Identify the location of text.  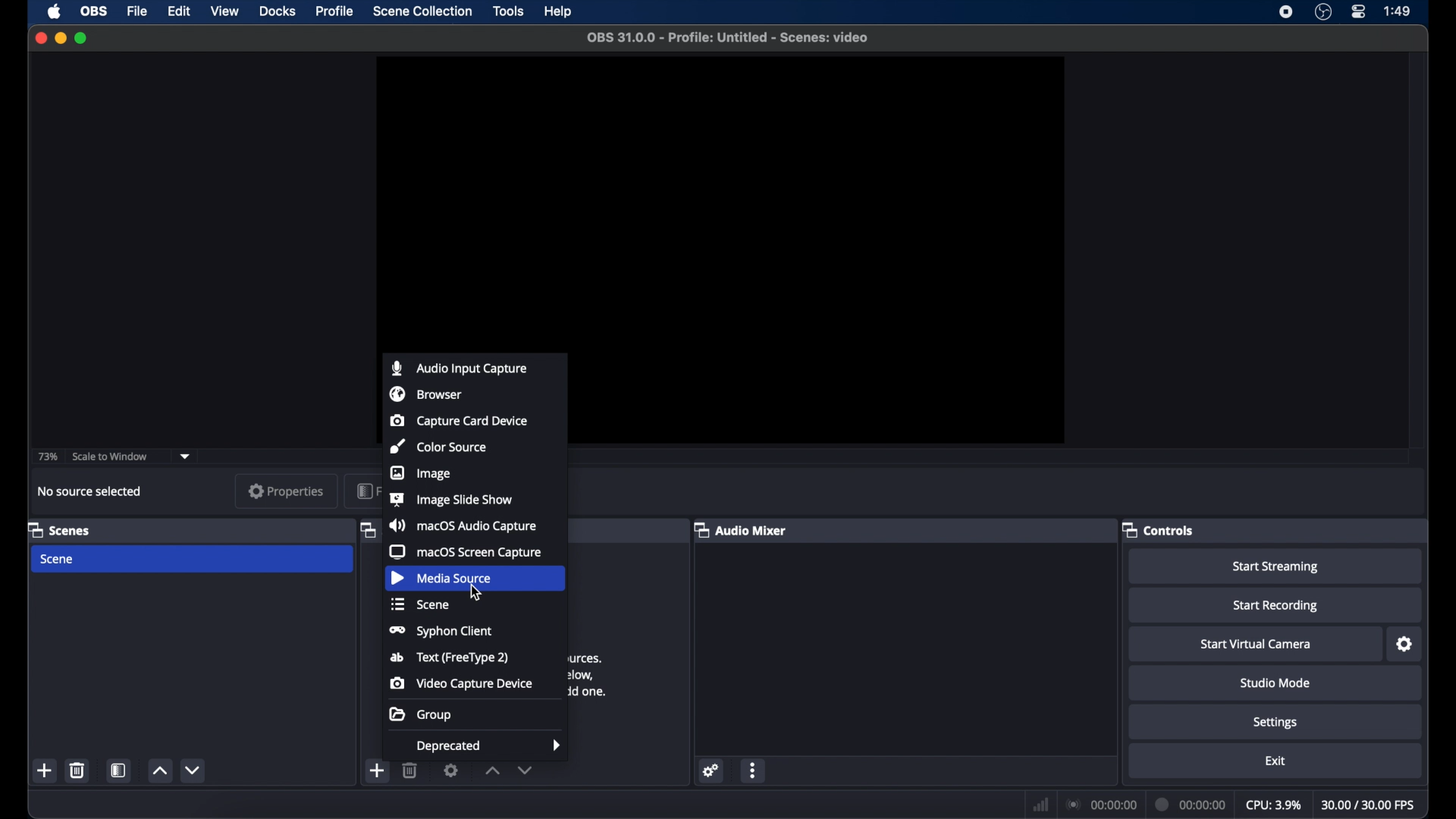
(450, 657).